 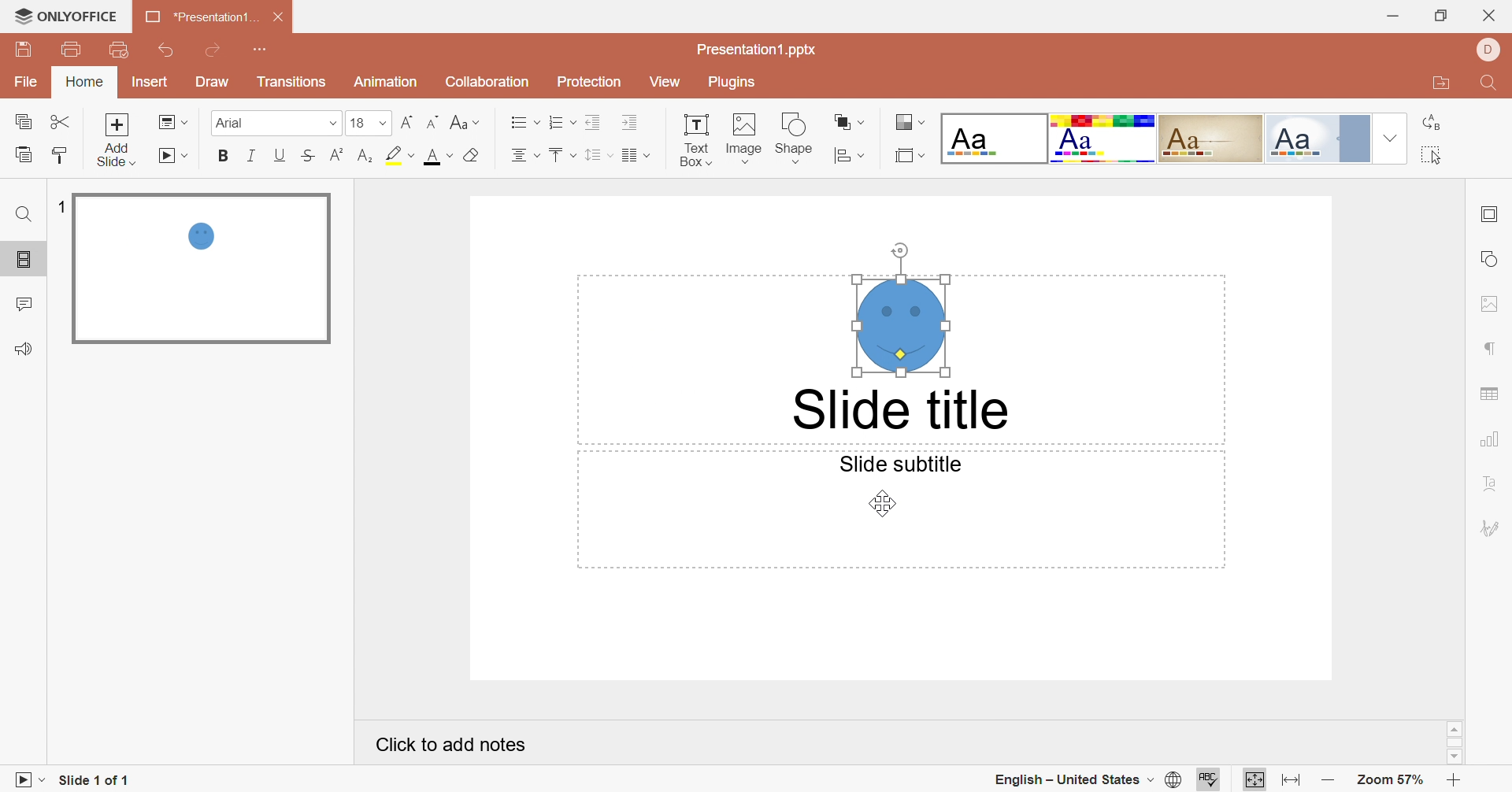 What do you see at coordinates (1316, 139) in the screenshot?
I see `Official` at bounding box center [1316, 139].